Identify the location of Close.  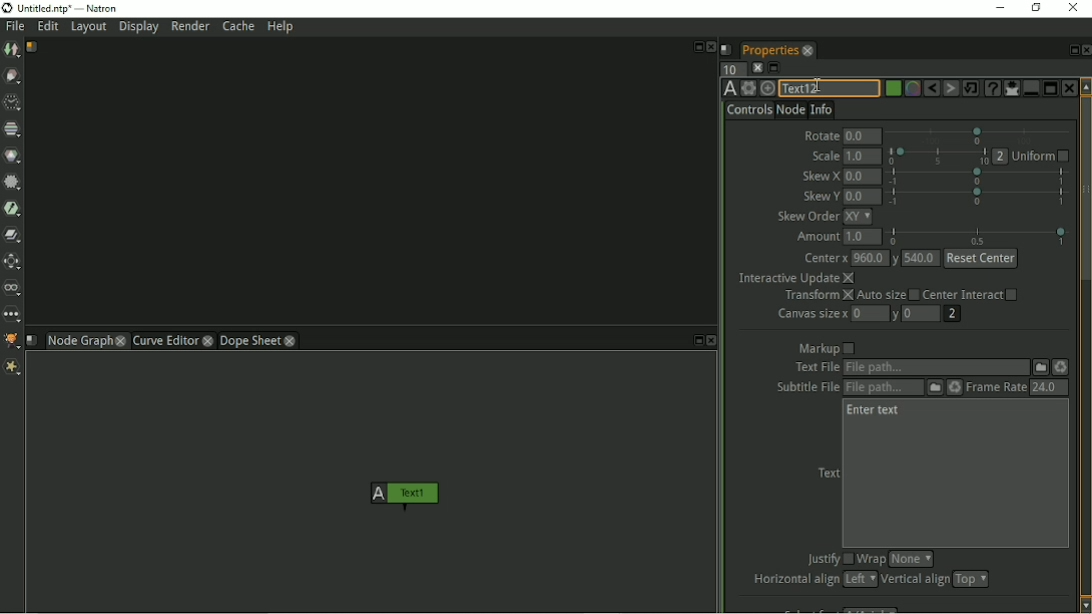
(712, 341).